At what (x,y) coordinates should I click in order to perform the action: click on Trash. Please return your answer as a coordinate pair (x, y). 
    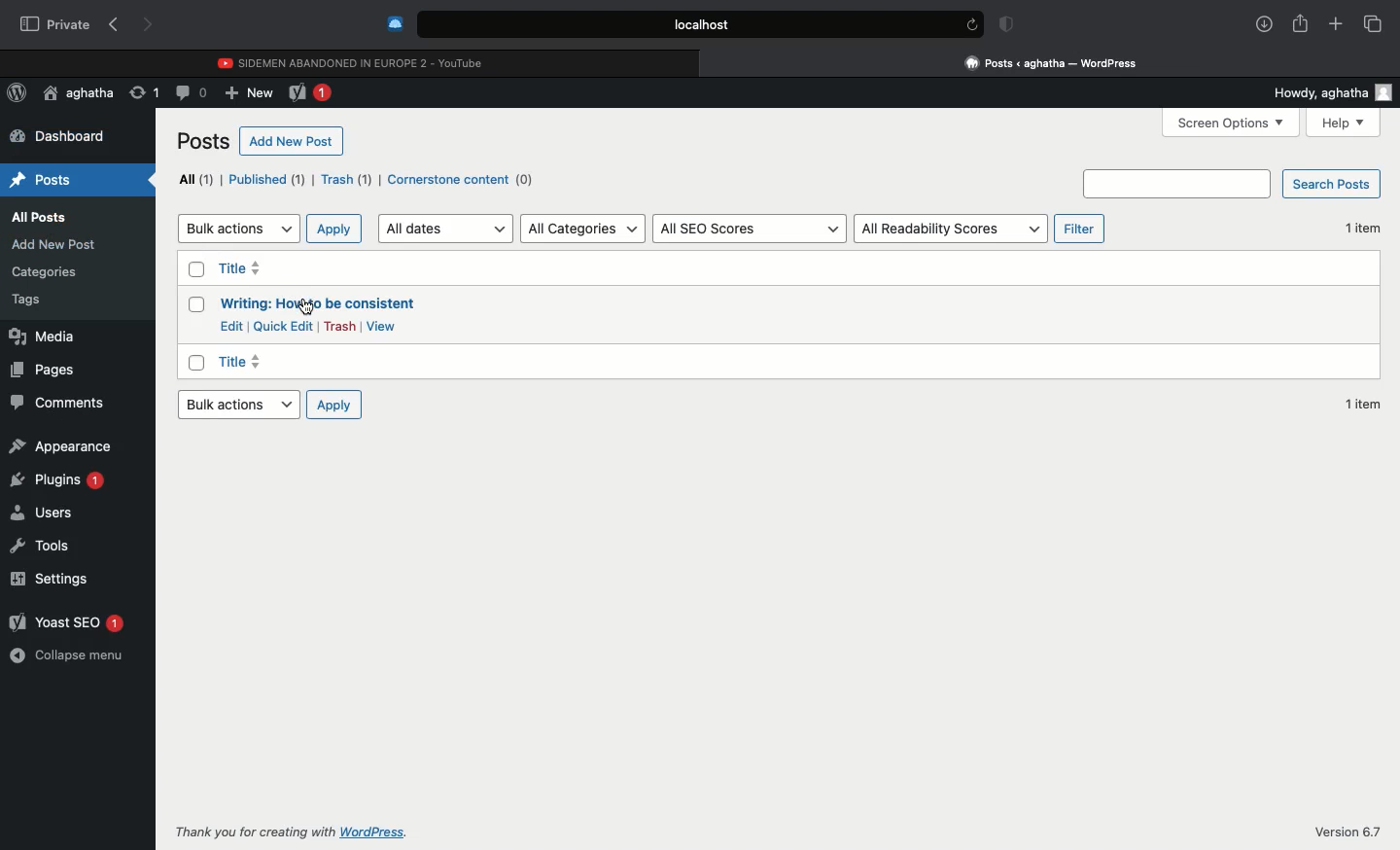
    Looking at the image, I should click on (345, 180).